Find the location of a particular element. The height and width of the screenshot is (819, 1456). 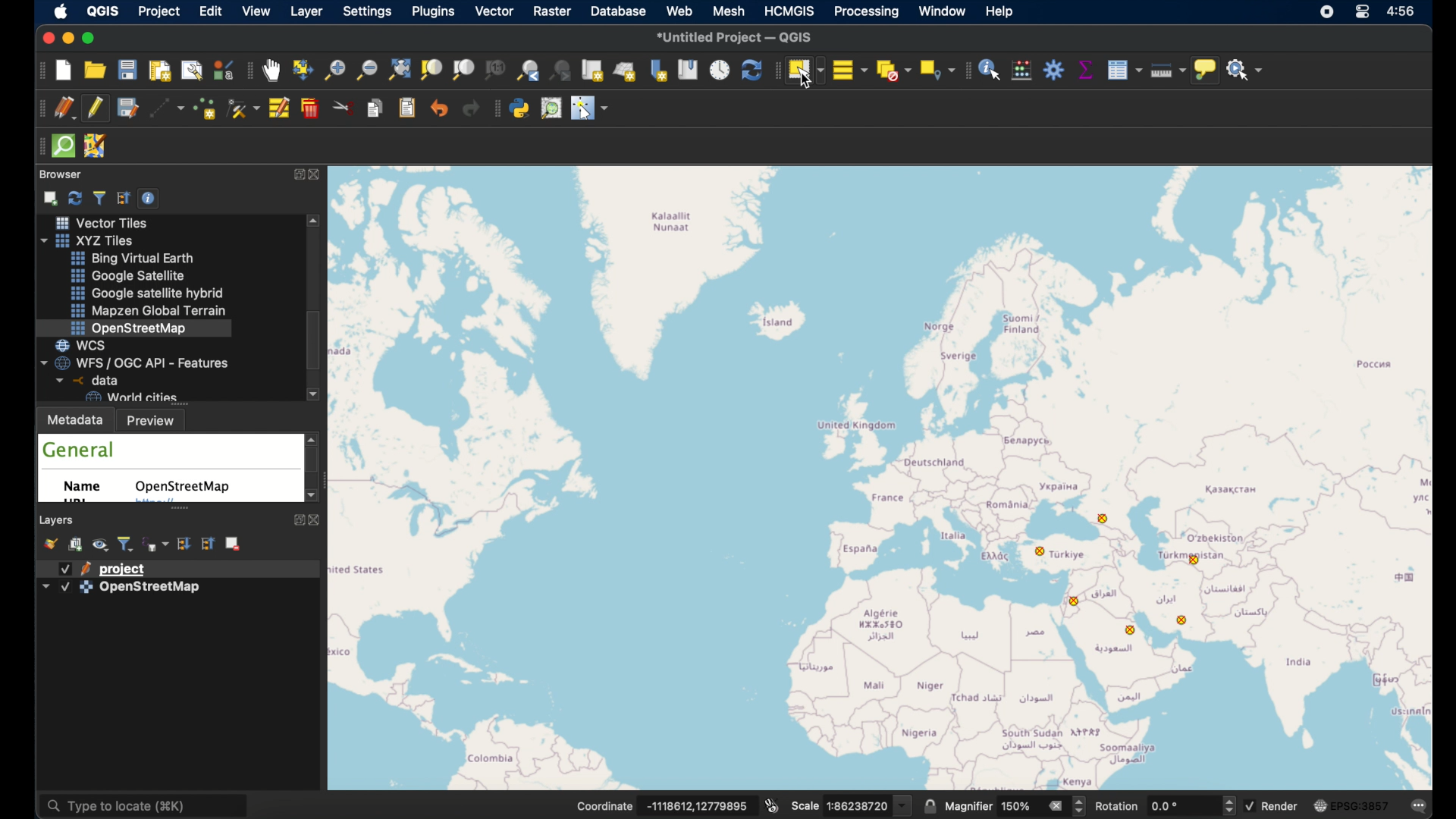

show map tips is located at coordinates (1205, 71).